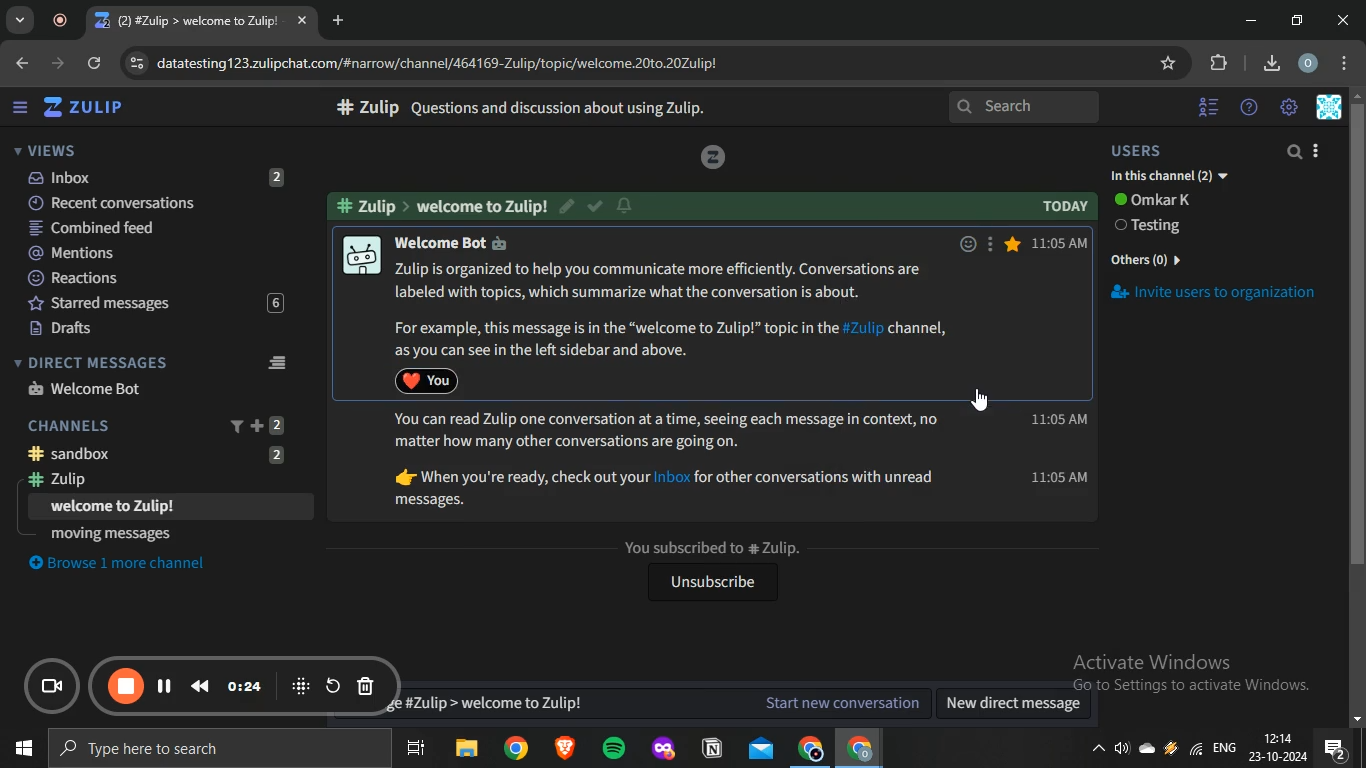 This screenshot has height=768, width=1366. What do you see at coordinates (416, 750) in the screenshot?
I see `task view` at bounding box center [416, 750].